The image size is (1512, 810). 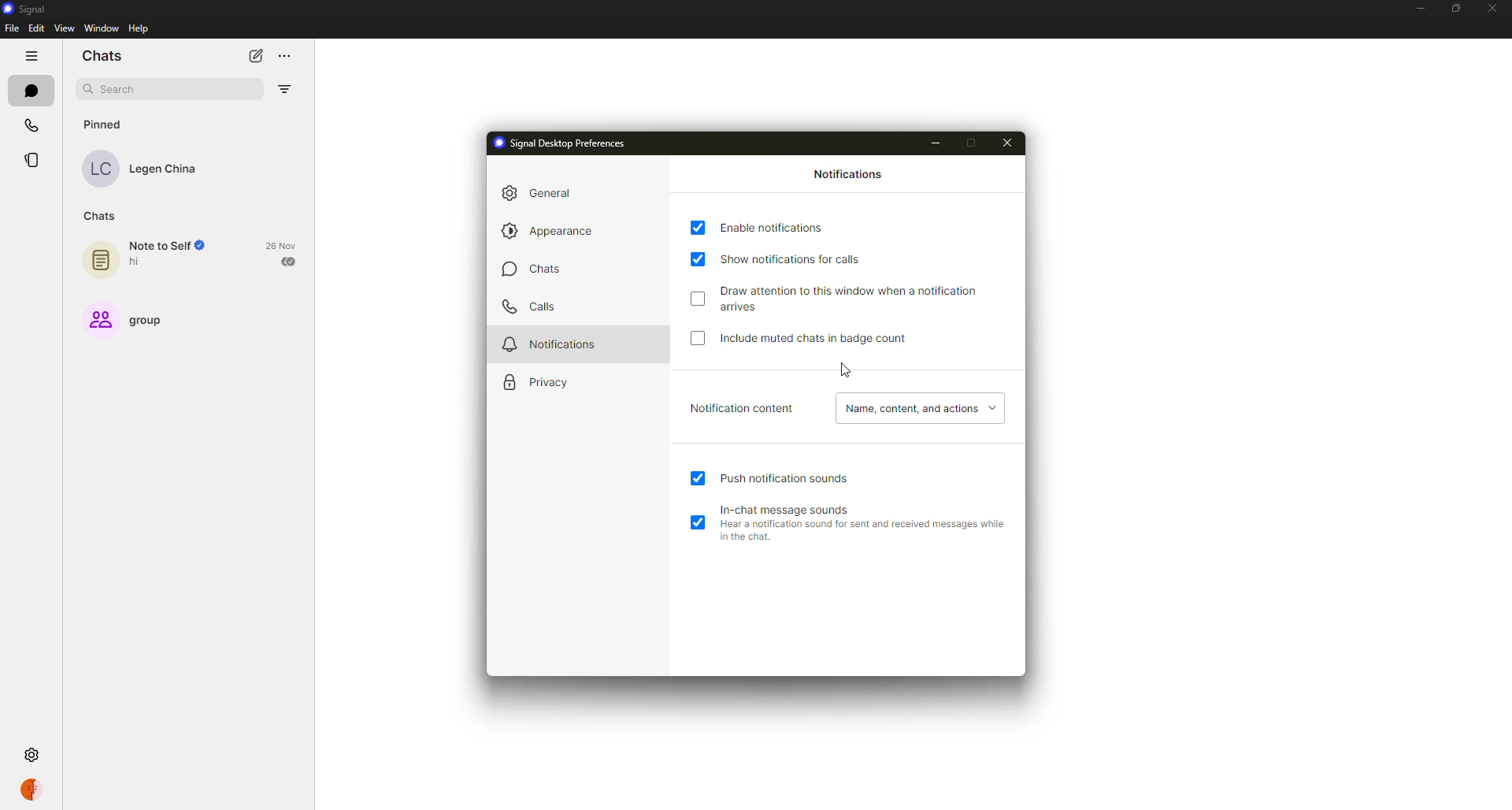 What do you see at coordinates (139, 29) in the screenshot?
I see `help` at bounding box center [139, 29].